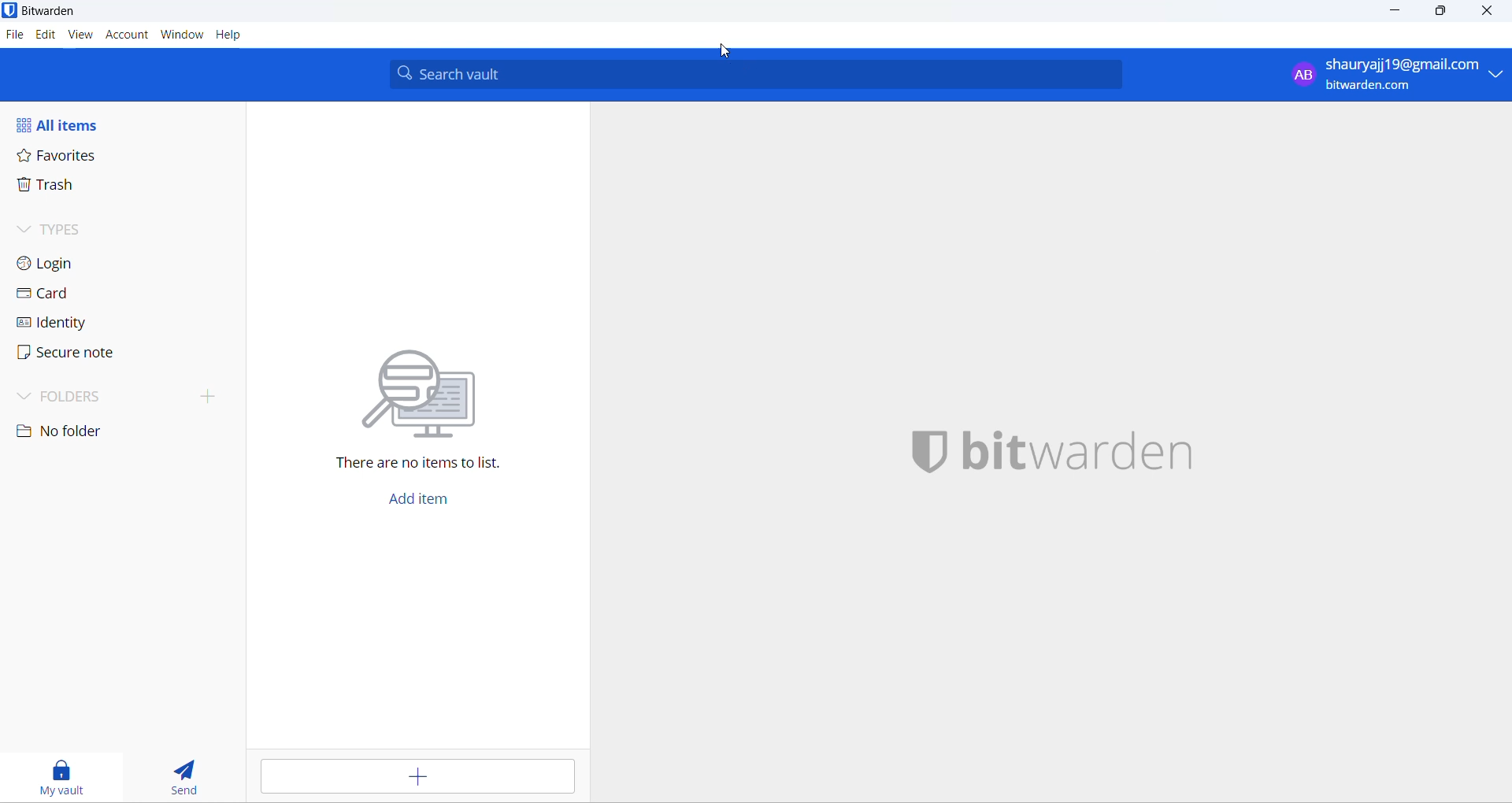 This screenshot has height=803, width=1512. What do you see at coordinates (1486, 12) in the screenshot?
I see `close` at bounding box center [1486, 12].